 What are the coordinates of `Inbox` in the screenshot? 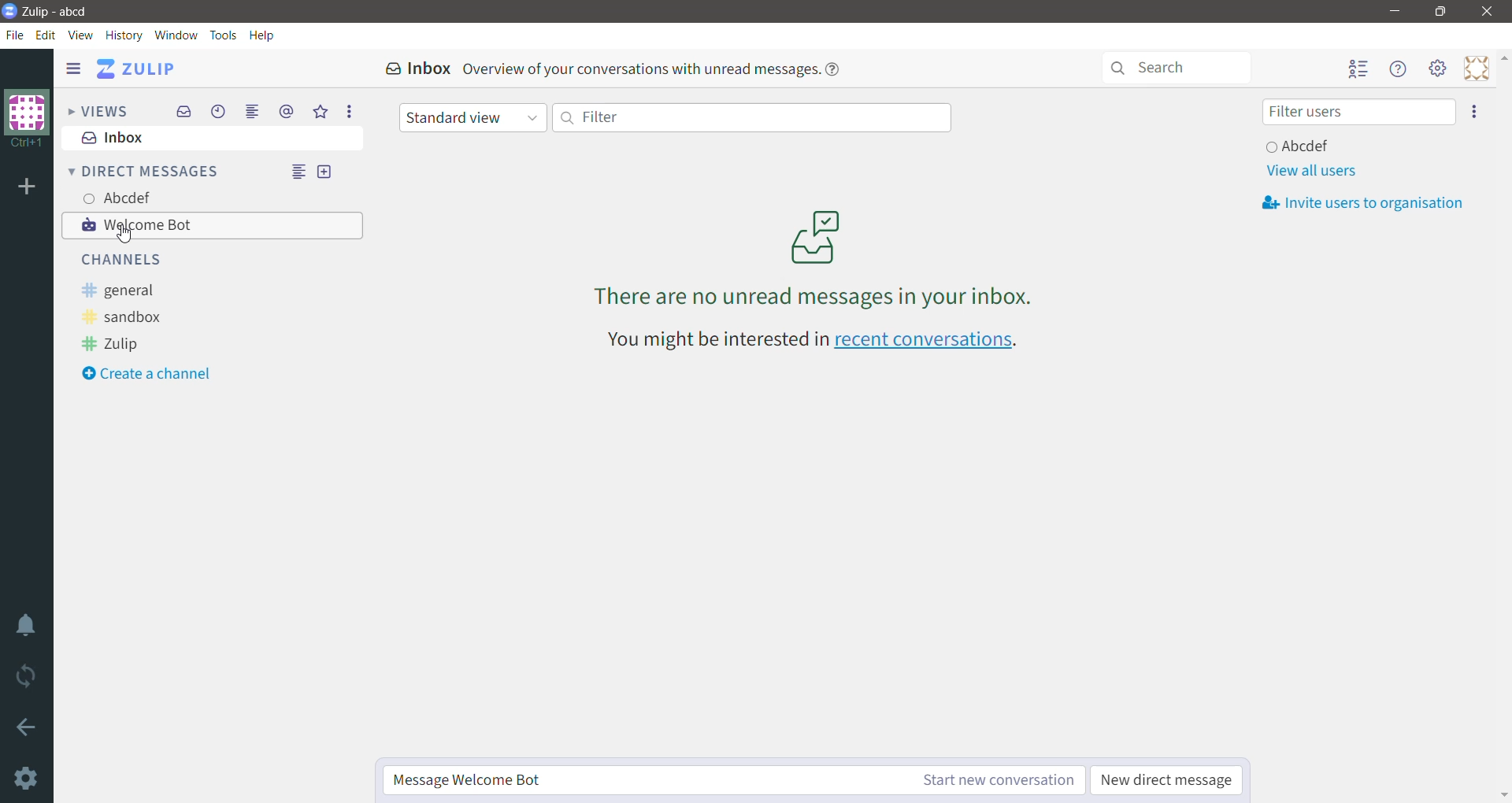 It's located at (183, 111).